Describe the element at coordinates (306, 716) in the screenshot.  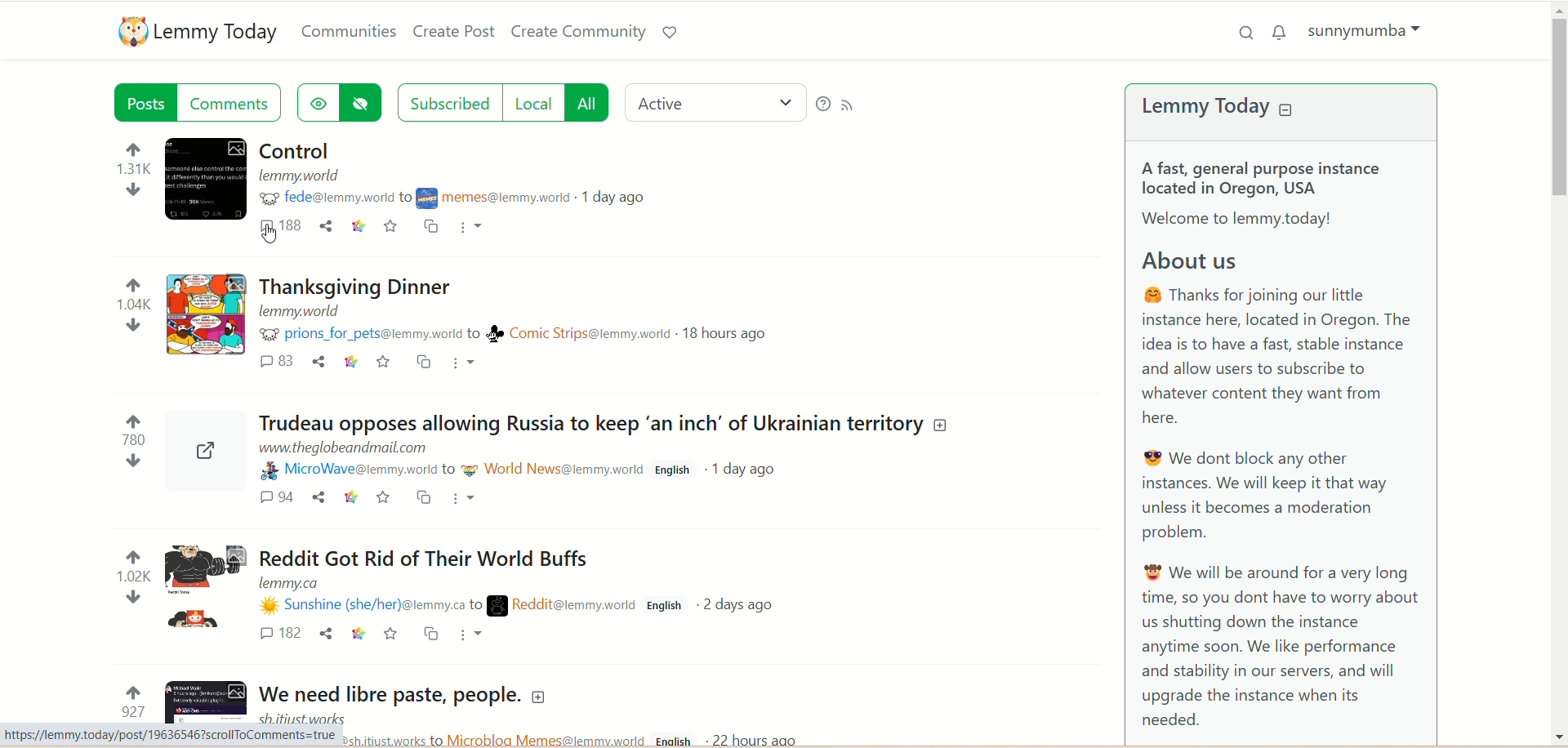
I see `URL` at that location.